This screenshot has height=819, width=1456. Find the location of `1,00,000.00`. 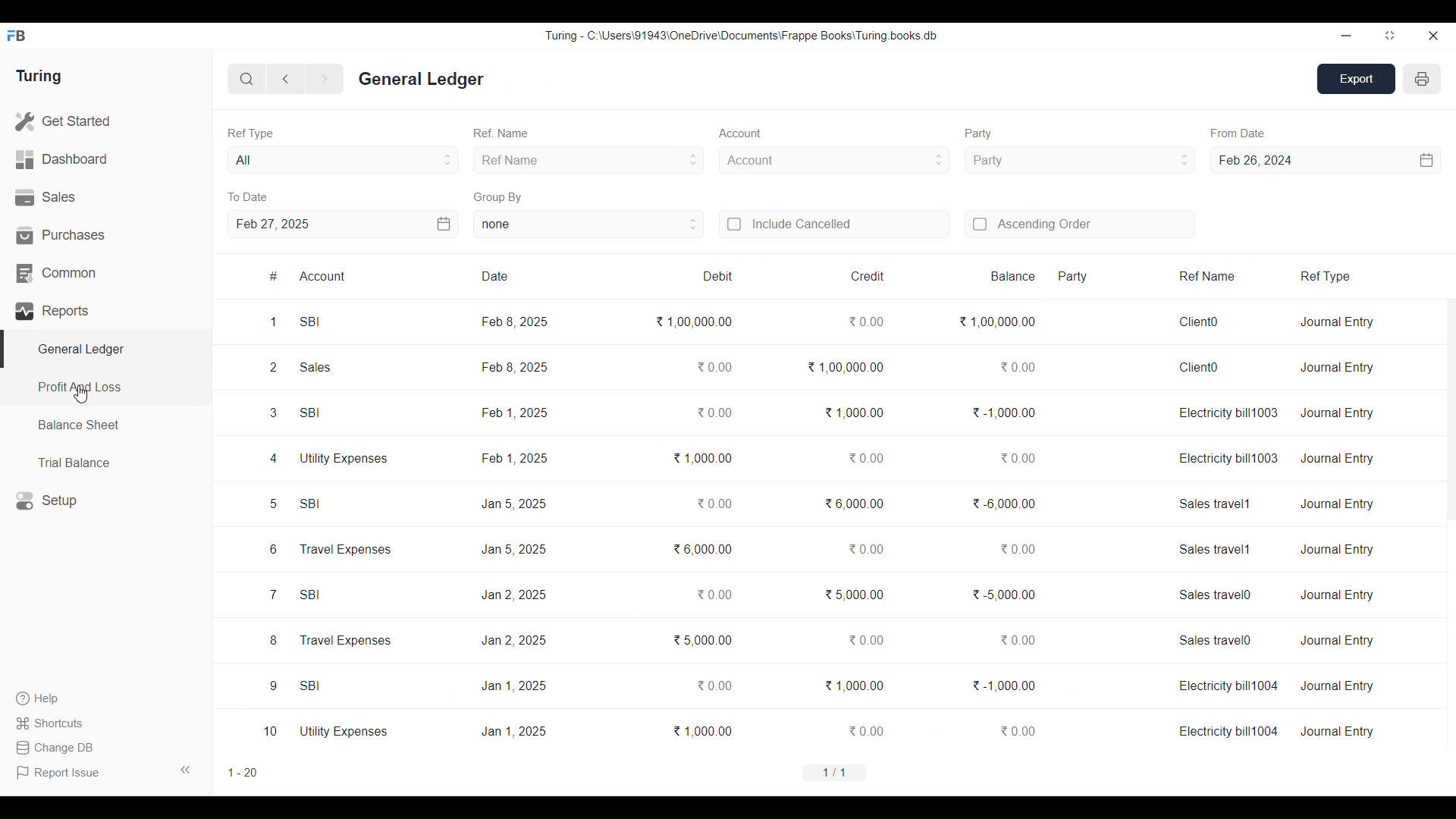

1,00,000.00 is located at coordinates (997, 322).